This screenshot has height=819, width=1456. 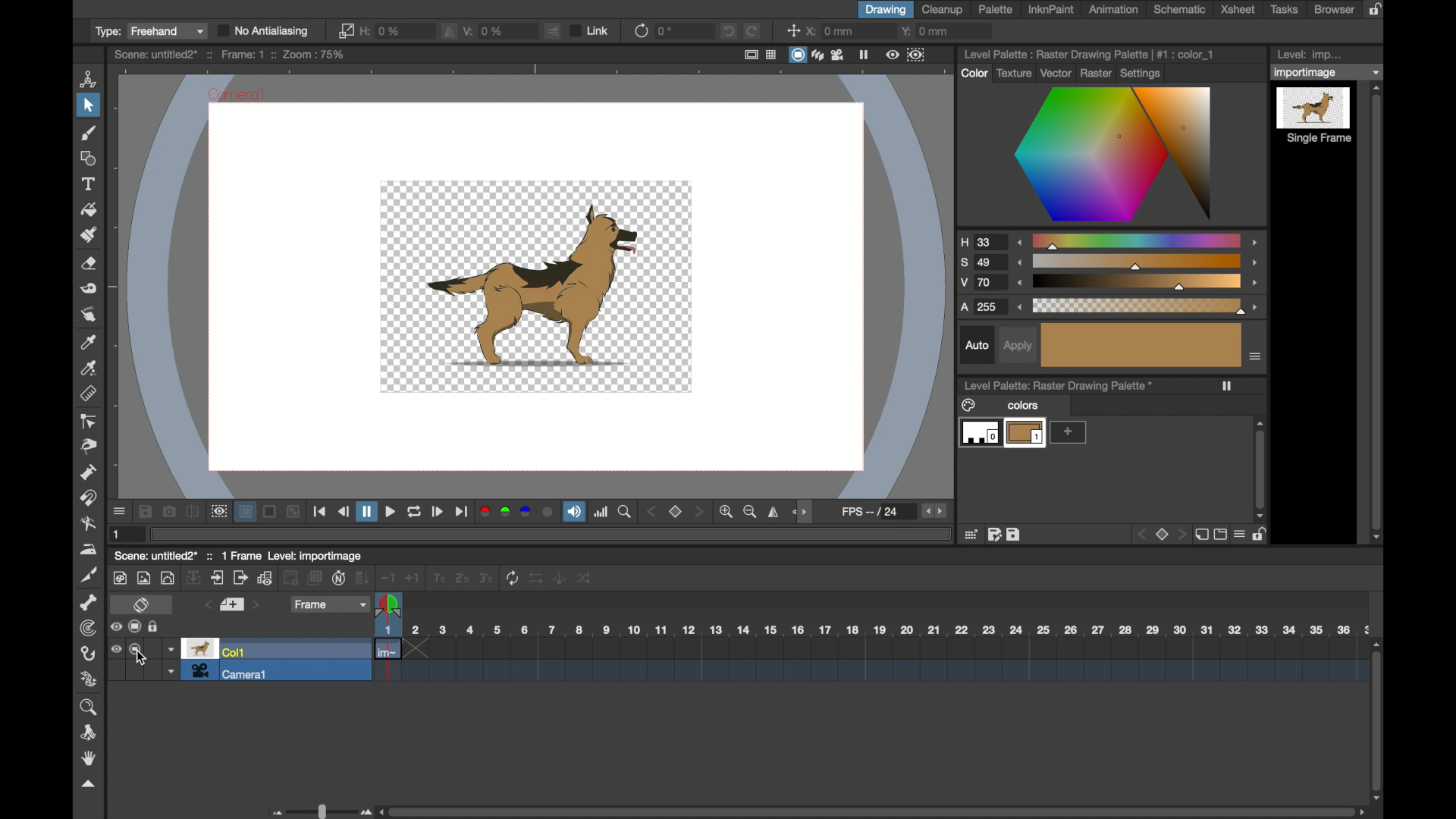 I want to click on forward, so click(x=463, y=513).